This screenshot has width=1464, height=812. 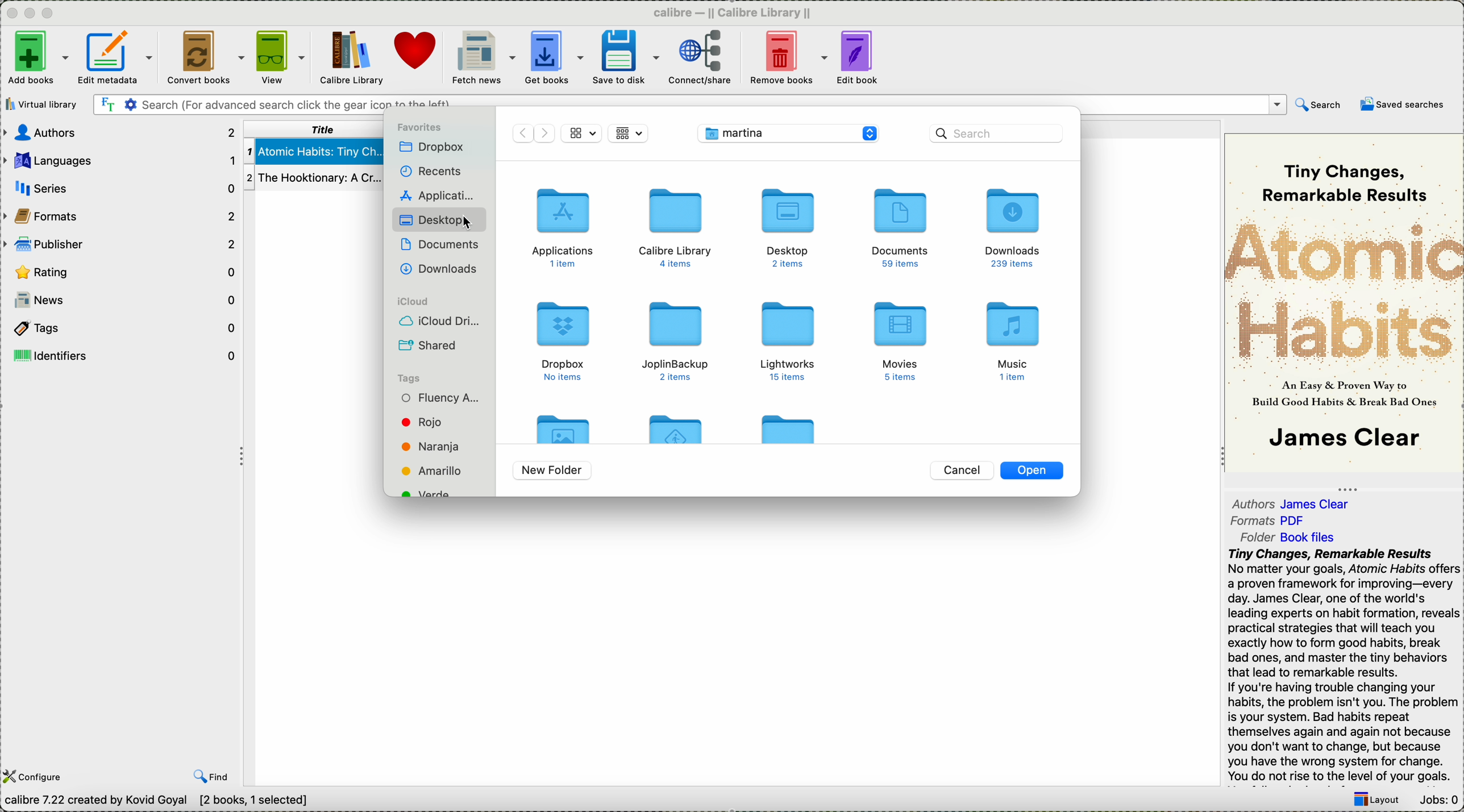 I want to click on cursor, so click(x=465, y=223).